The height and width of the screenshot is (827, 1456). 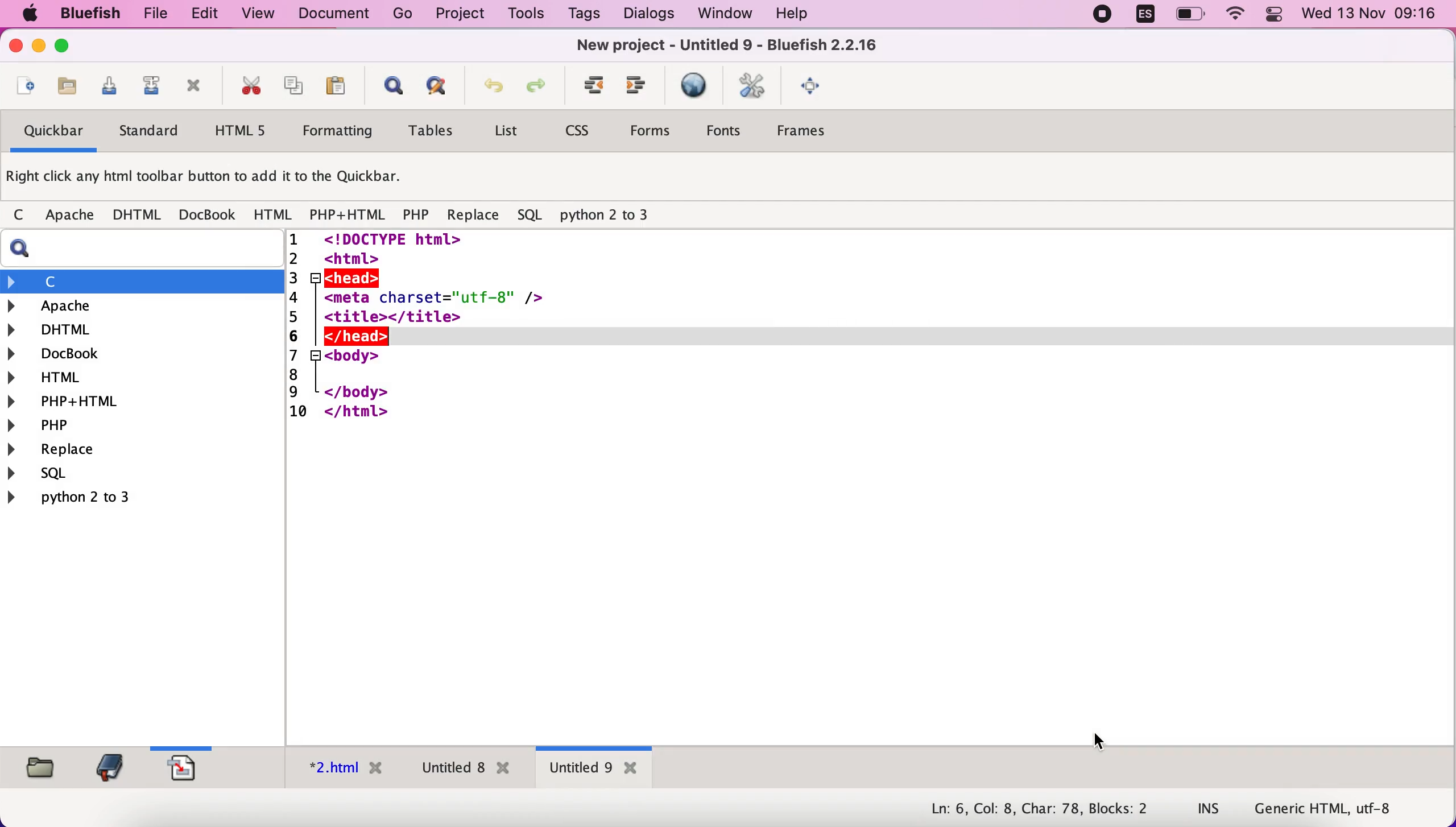 What do you see at coordinates (403, 14) in the screenshot?
I see `go` at bounding box center [403, 14].